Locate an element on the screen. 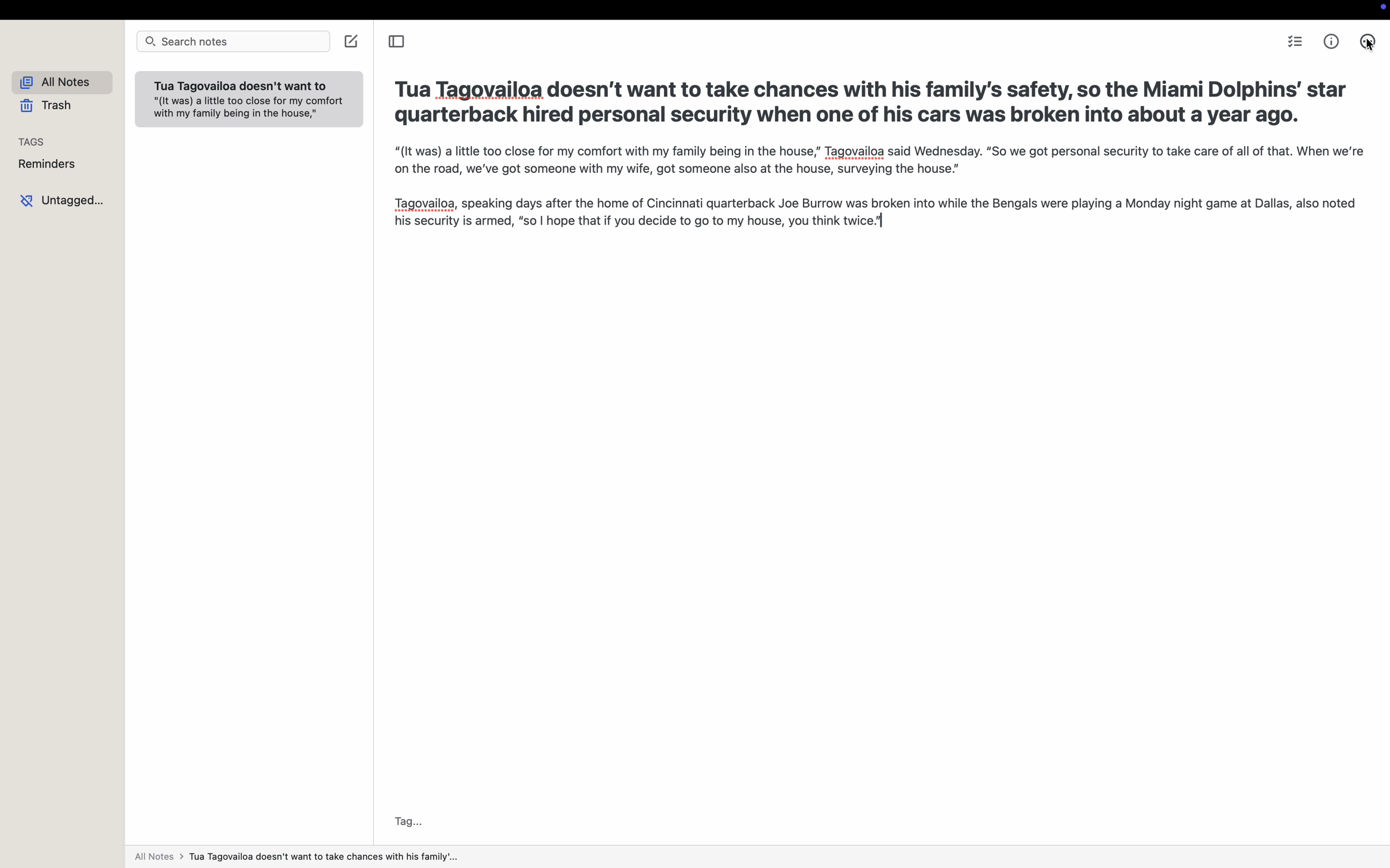 The image size is (1390, 868). metrics is located at coordinates (1333, 42).